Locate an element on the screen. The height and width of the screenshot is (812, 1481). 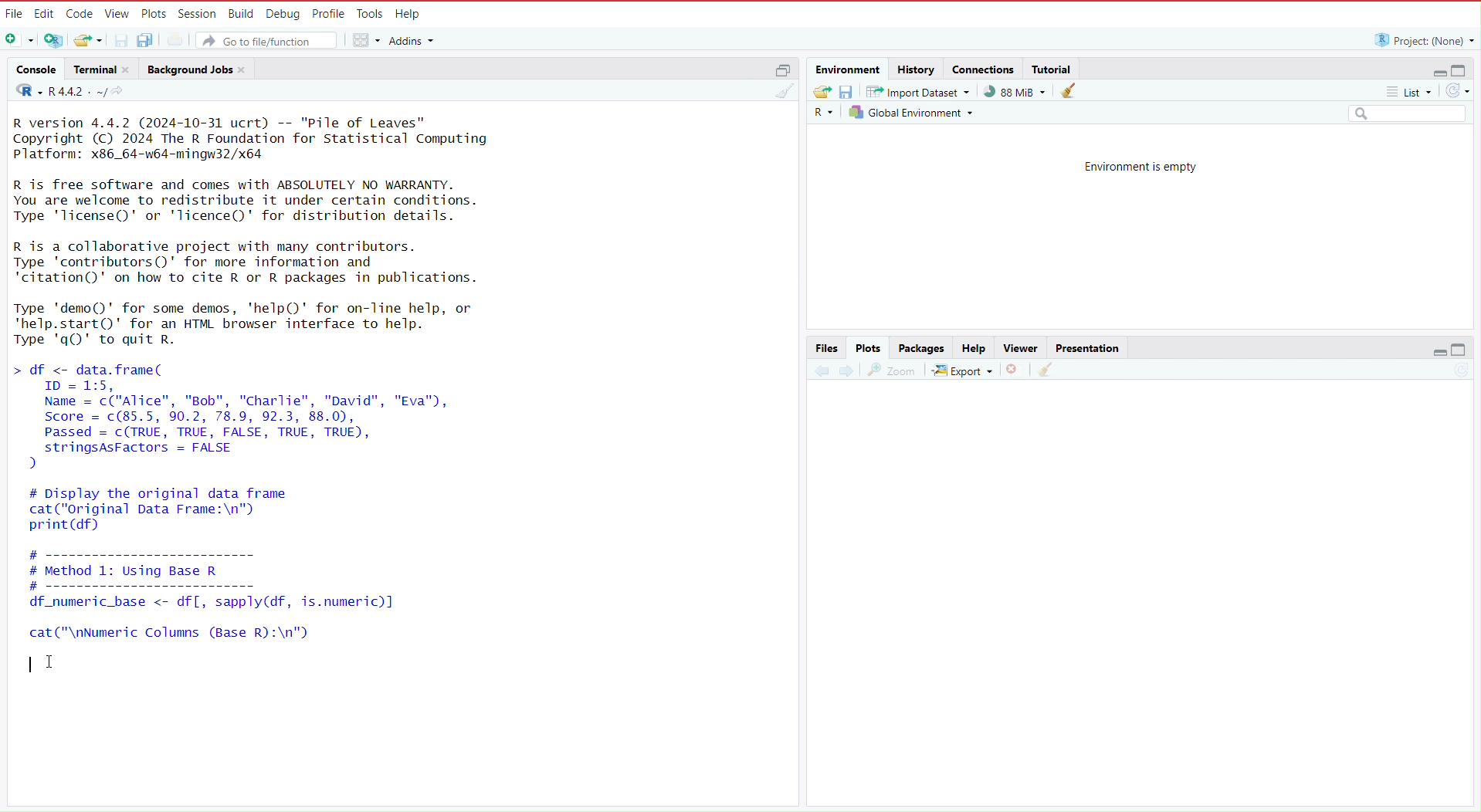
maximize is located at coordinates (1466, 68).